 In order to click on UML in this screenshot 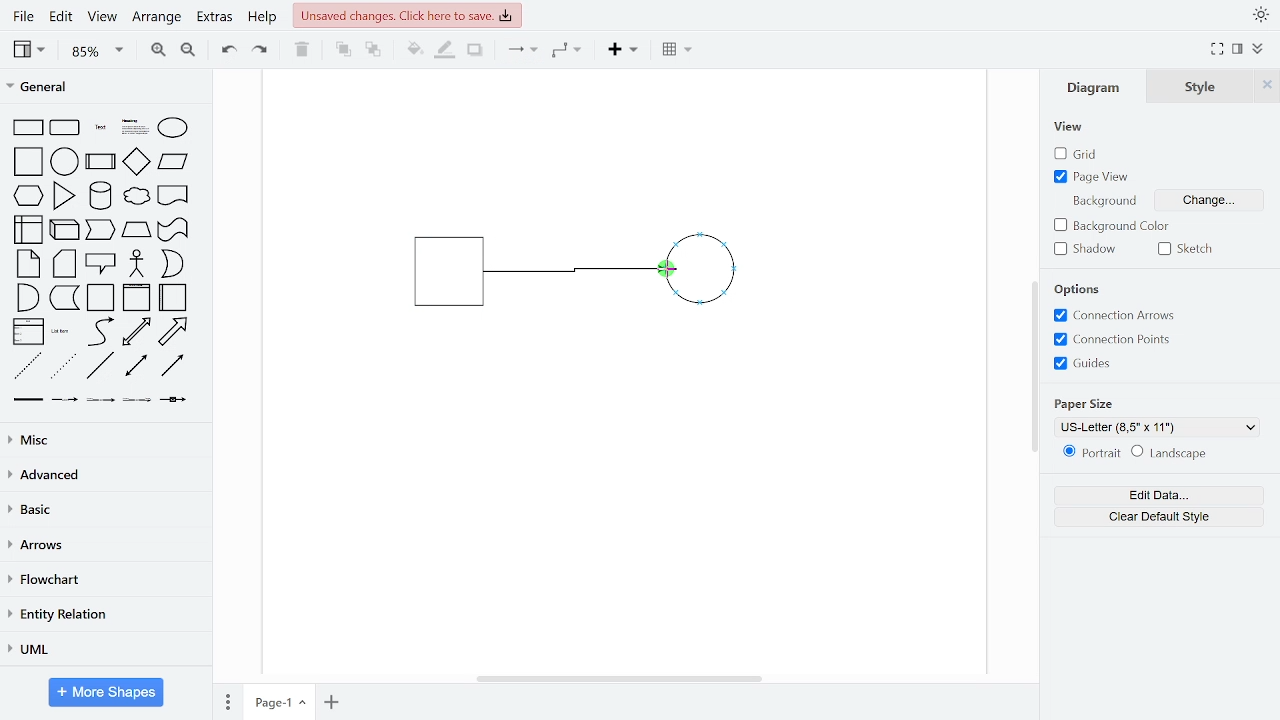, I will do `click(101, 650)`.